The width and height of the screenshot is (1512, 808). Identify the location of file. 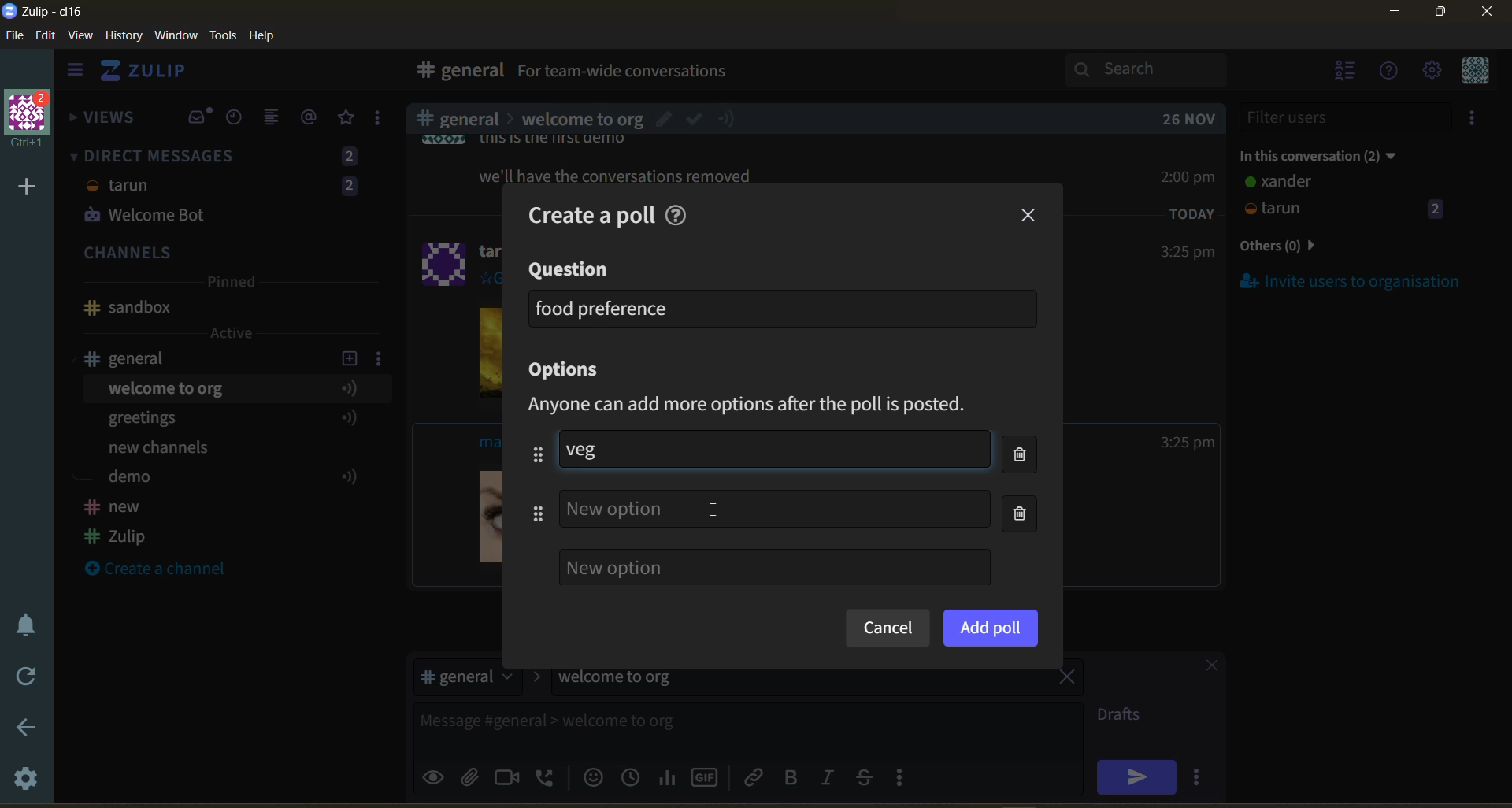
(16, 39).